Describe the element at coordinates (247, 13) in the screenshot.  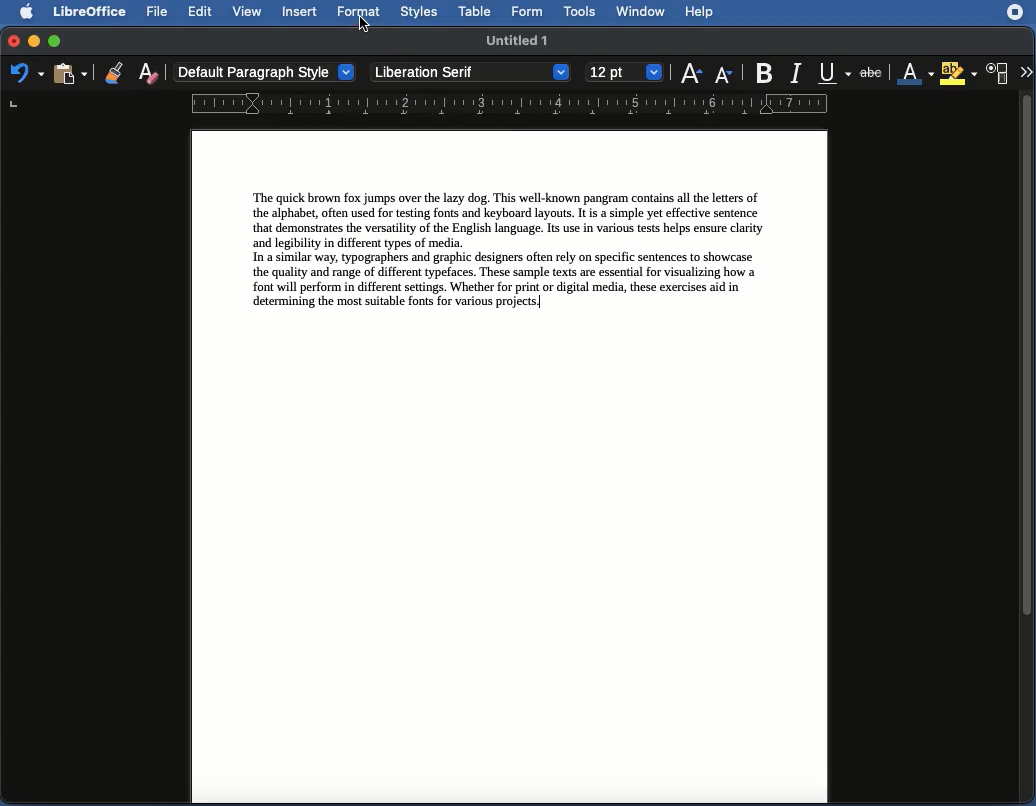
I see `View` at that location.